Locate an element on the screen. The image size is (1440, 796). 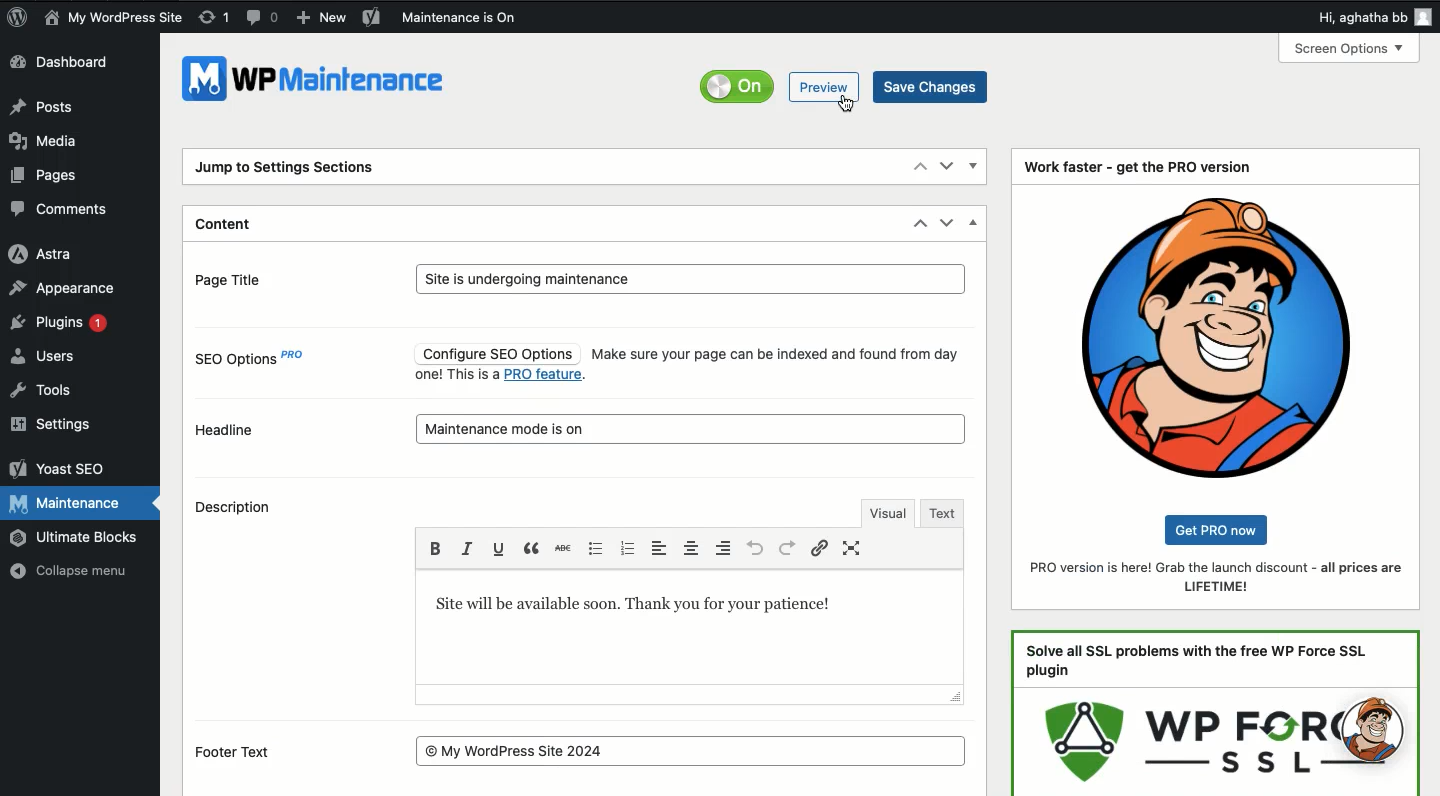
Pro version is located at coordinates (1219, 578).